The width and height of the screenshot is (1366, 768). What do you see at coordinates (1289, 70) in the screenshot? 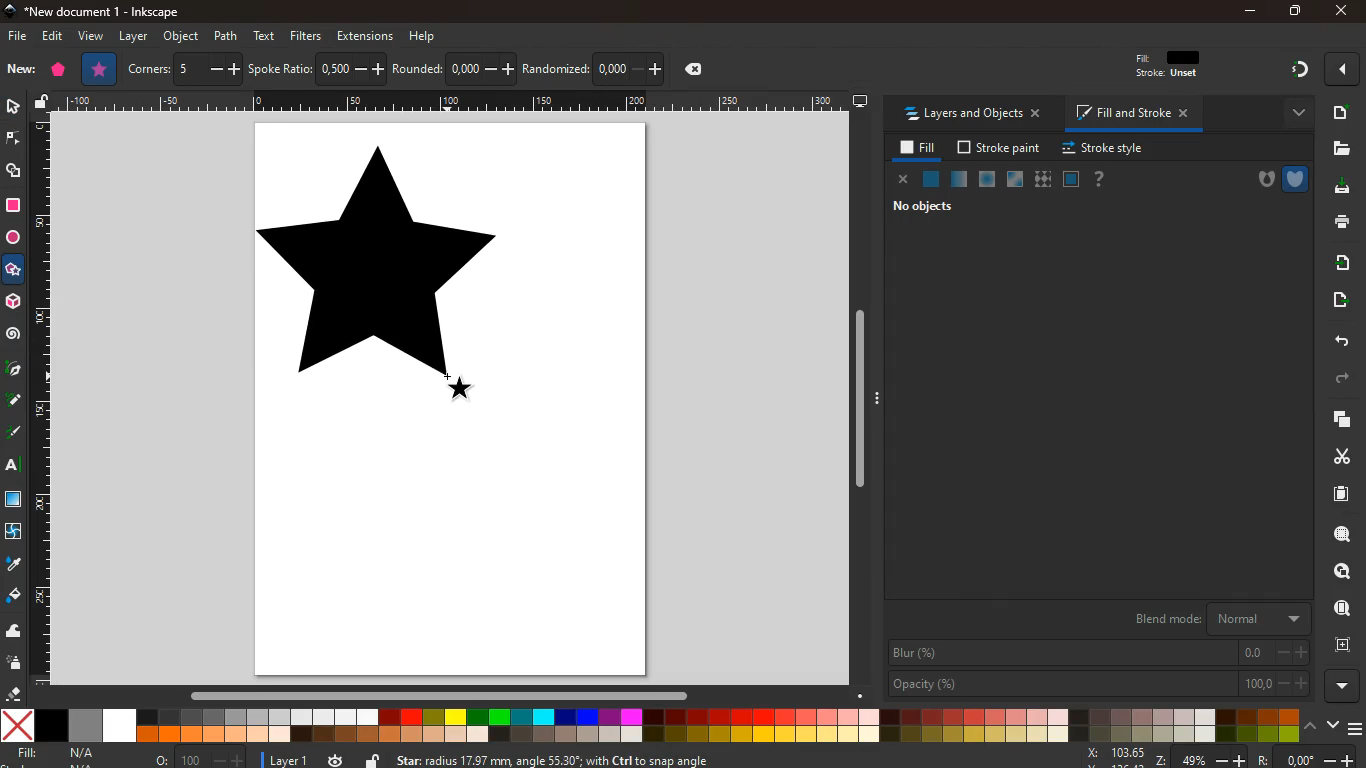
I see `gradient` at bounding box center [1289, 70].